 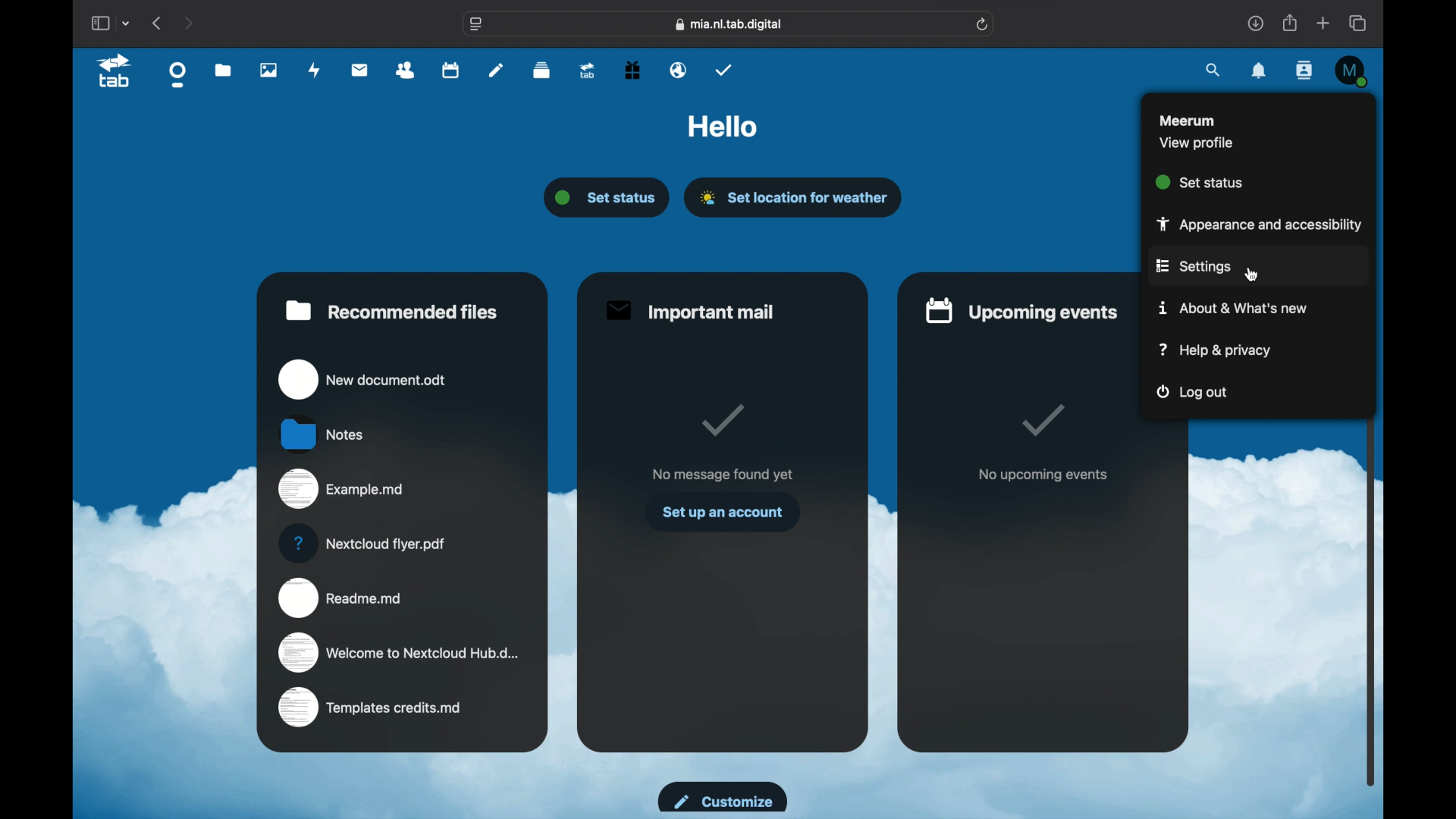 What do you see at coordinates (188, 23) in the screenshot?
I see `next` at bounding box center [188, 23].